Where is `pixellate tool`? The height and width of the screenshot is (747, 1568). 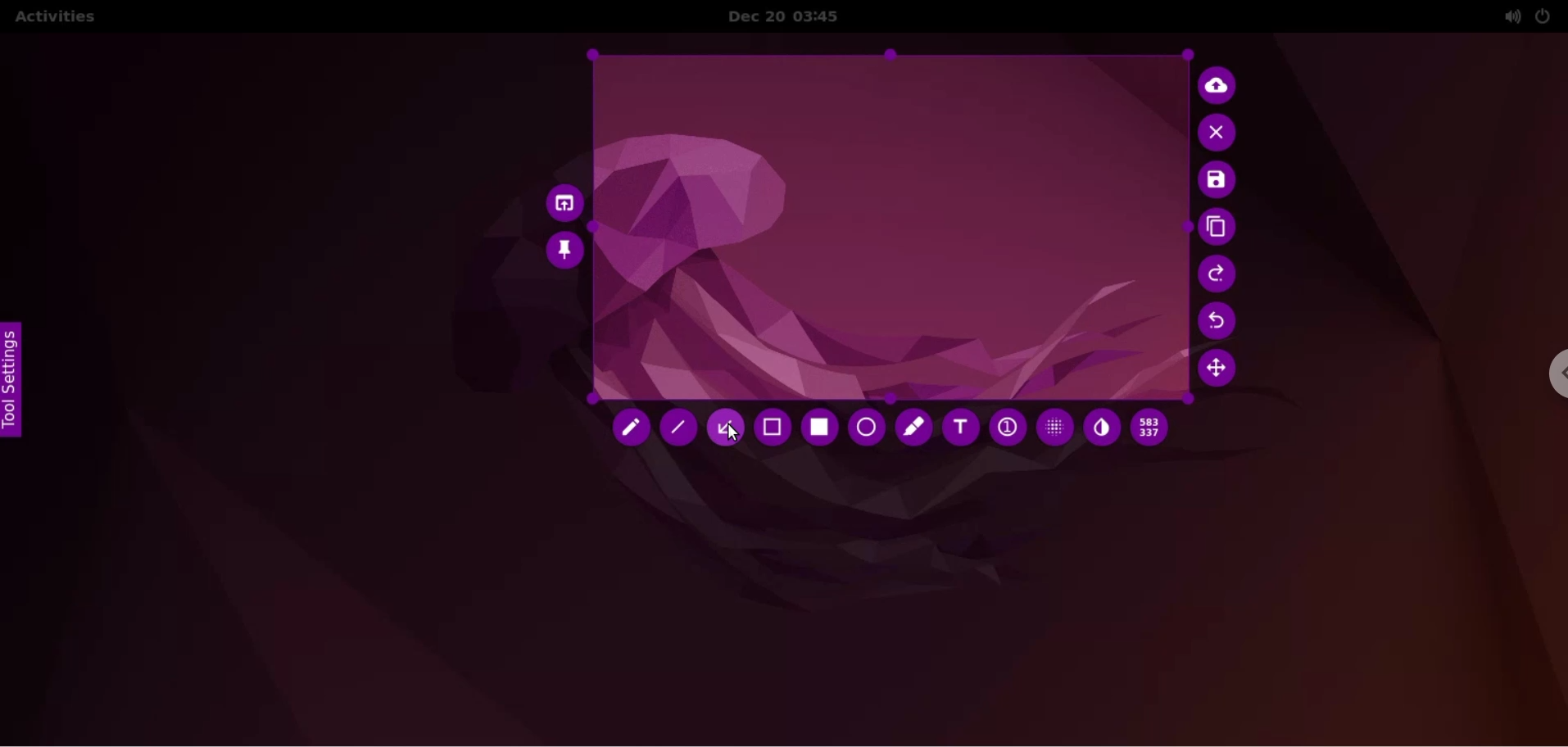
pixellate tool is located at coordinates (1050, 427).